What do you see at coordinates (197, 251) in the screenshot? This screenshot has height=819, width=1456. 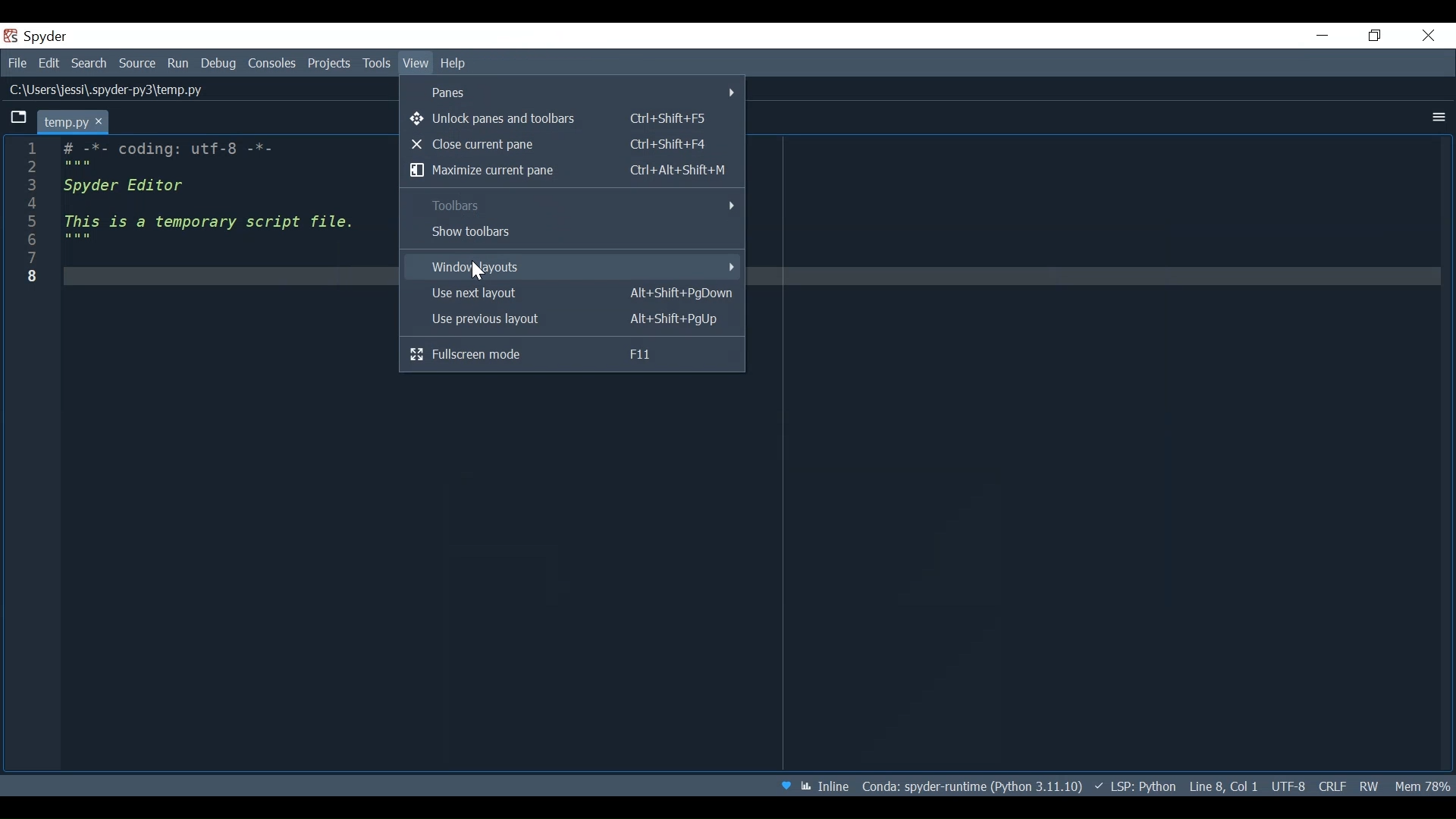 I see `Co pire SEE
: Spyder Editor

5 This is a temporary script file.

7

8` at bounding box center [197, 251].